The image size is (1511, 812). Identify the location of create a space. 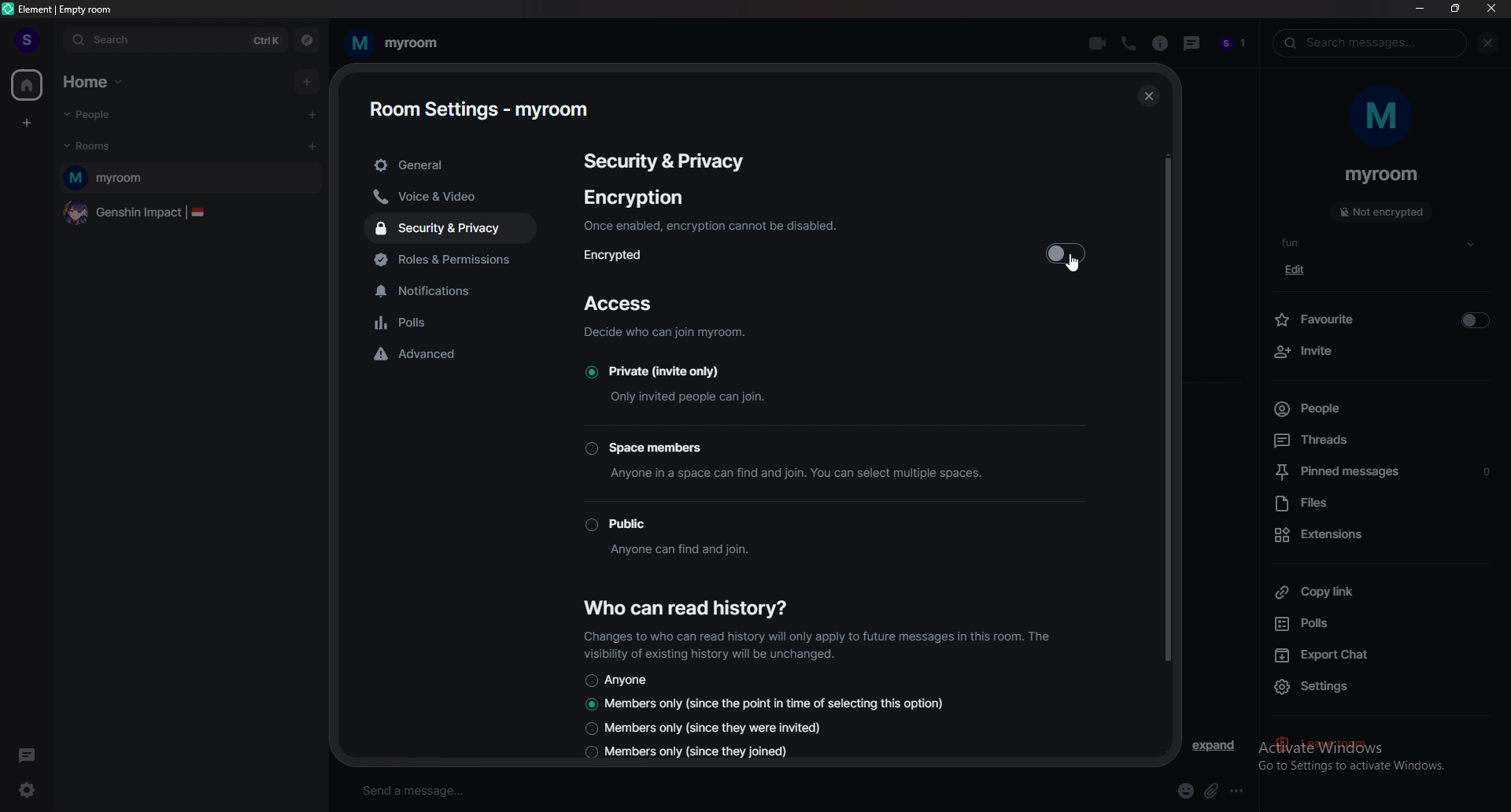
(25, 125).